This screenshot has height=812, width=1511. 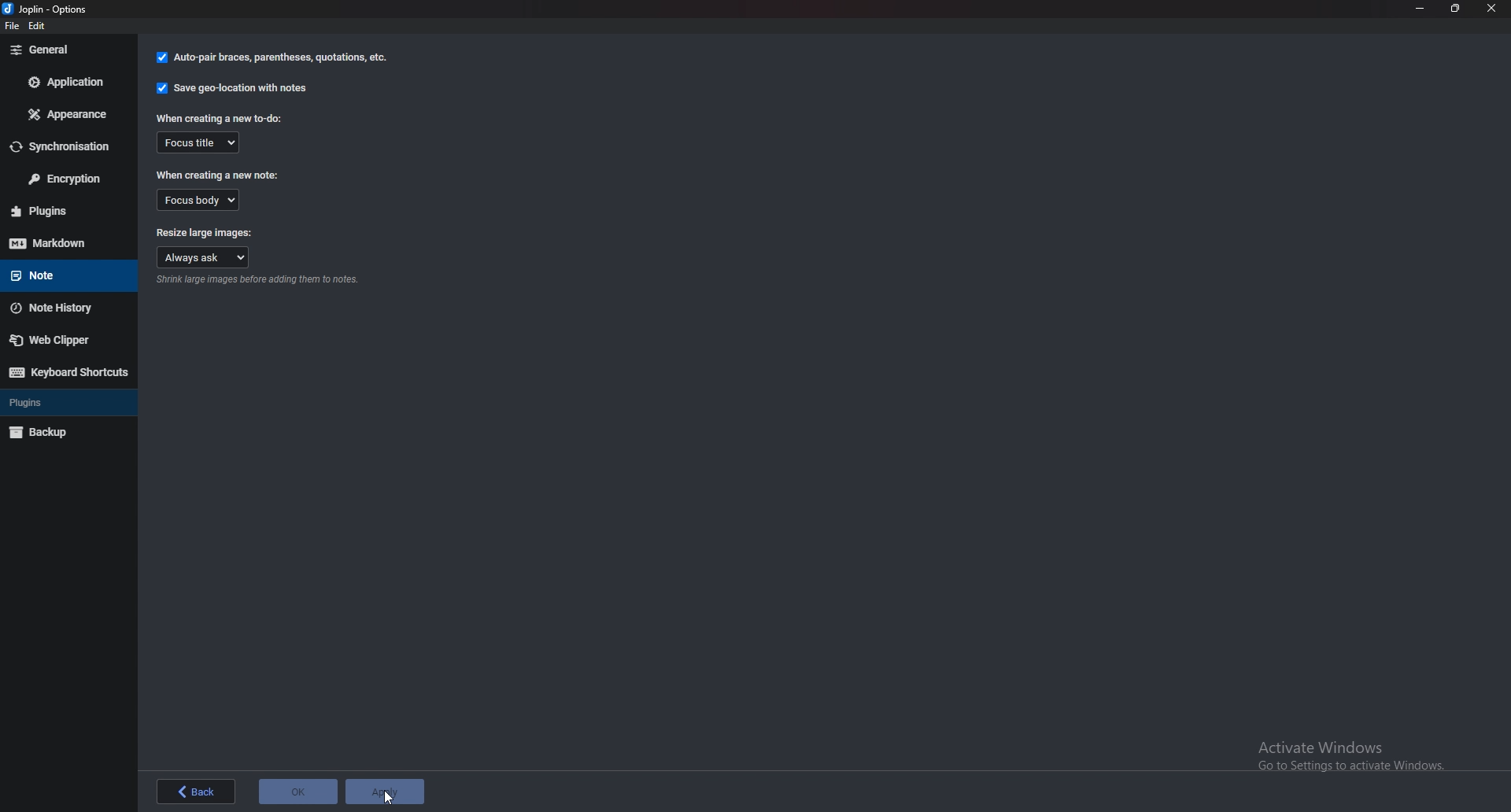 What do you see at coordinates (205, 231) in the screenshot?
I see `Resize large images` at bounding box center [205, 231].